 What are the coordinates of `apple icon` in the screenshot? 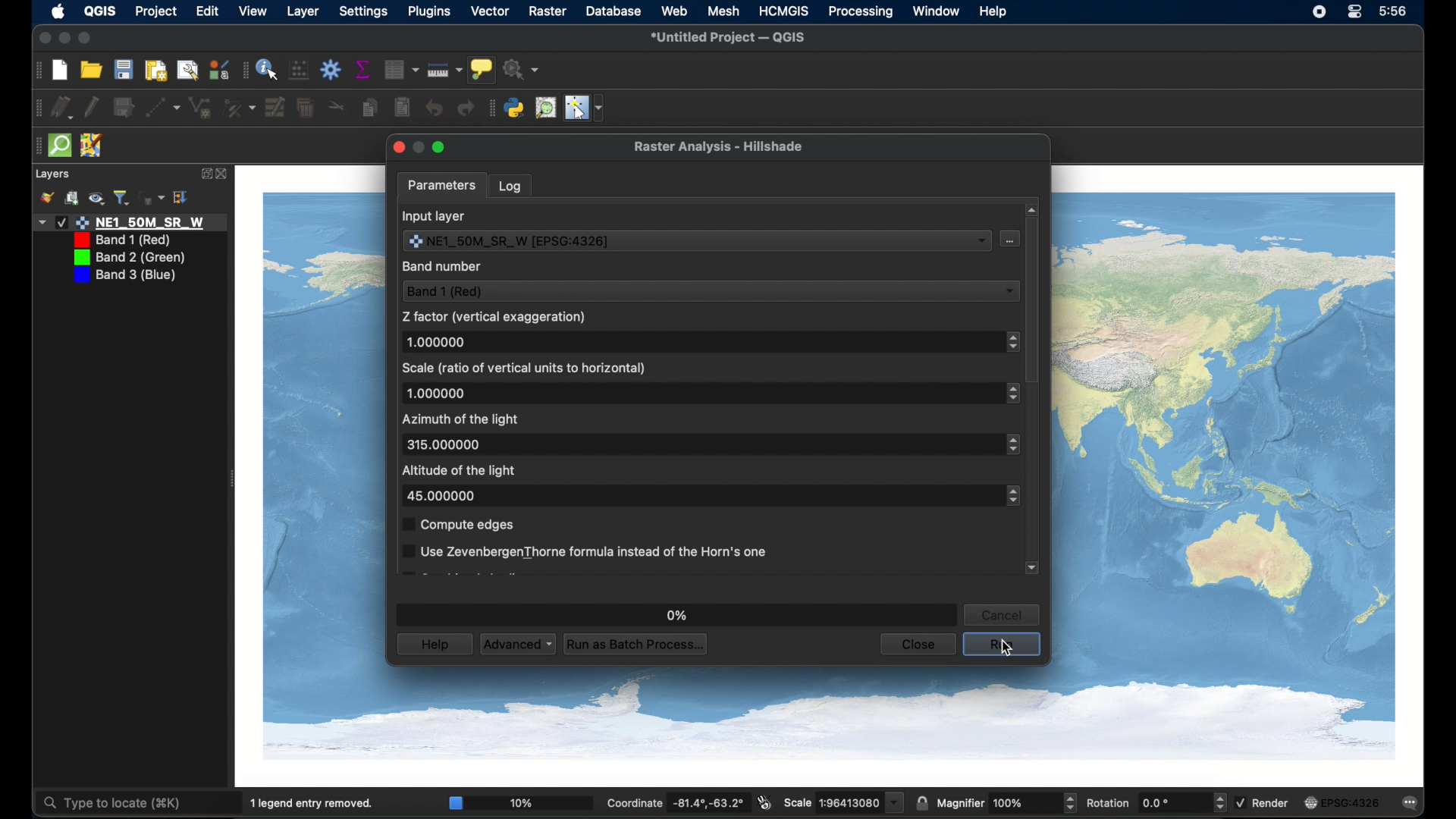 It's located at (59, 11).